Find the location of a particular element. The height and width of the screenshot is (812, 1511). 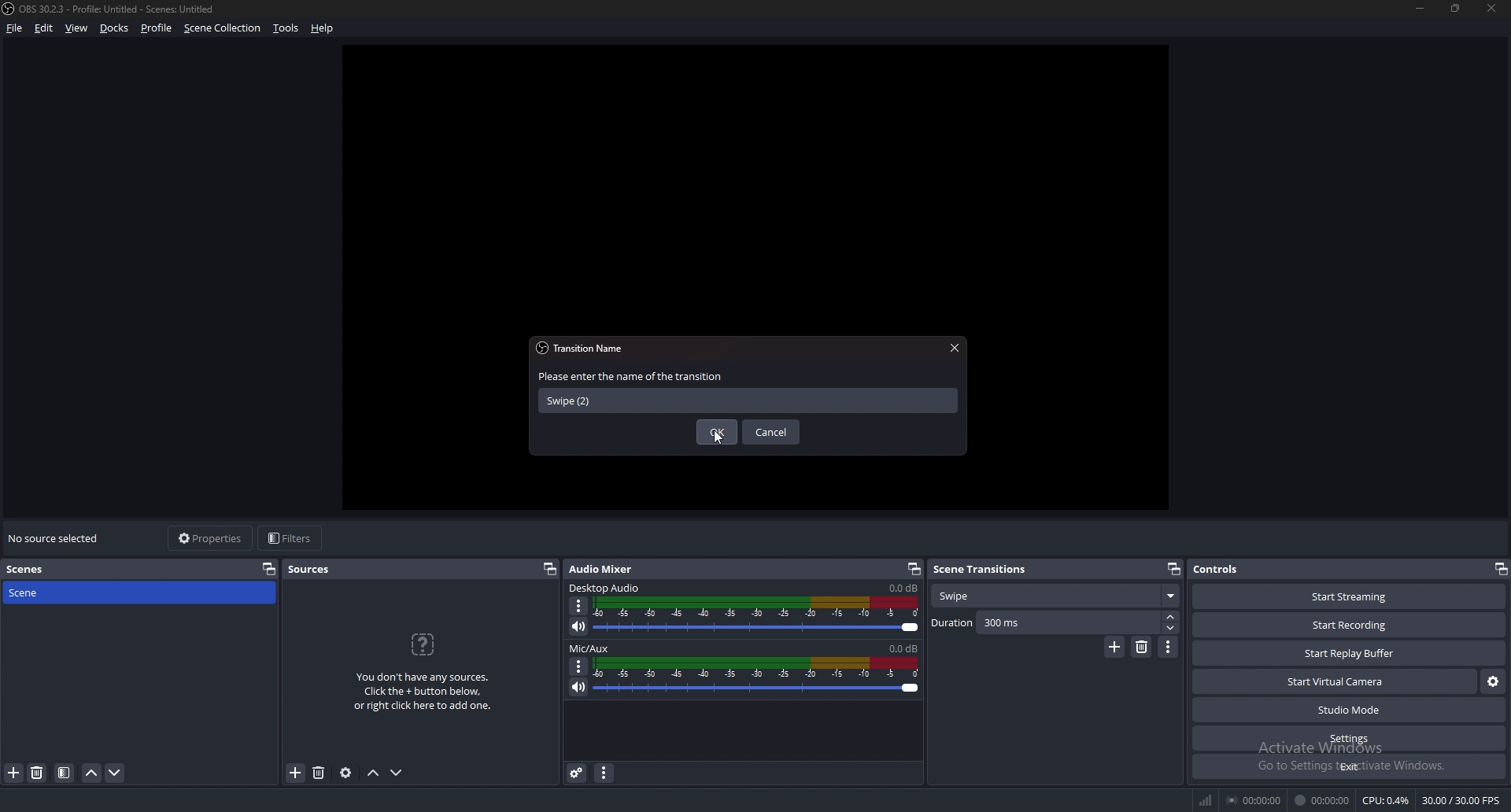

scene collection is located at coordinates (224, 28).